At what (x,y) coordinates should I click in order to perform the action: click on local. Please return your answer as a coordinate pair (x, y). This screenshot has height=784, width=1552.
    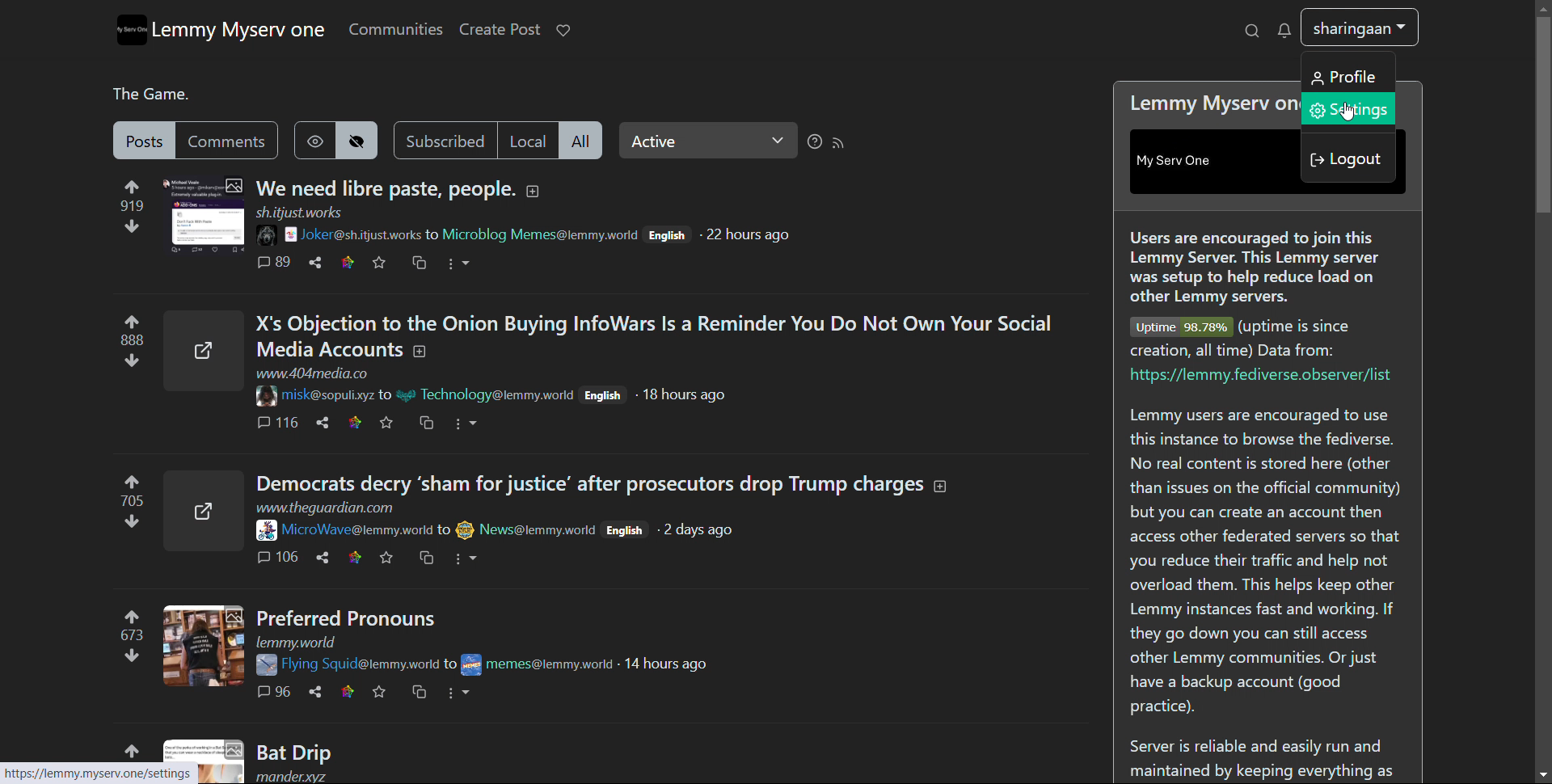
    Looking at the image, I should click on (529, 141).